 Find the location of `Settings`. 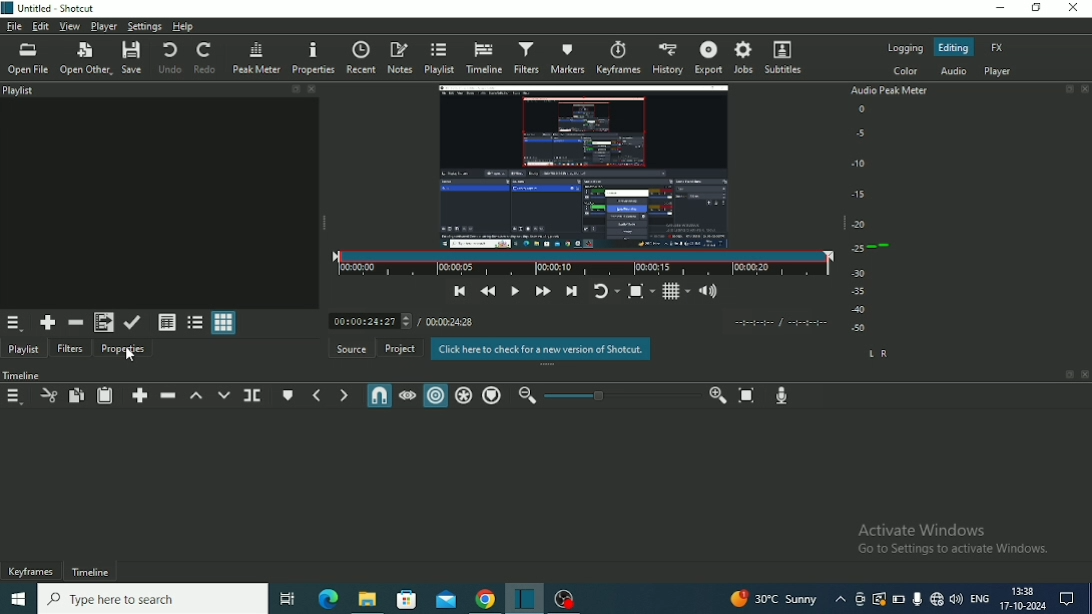

Settings is located at coordinates (144, 26).